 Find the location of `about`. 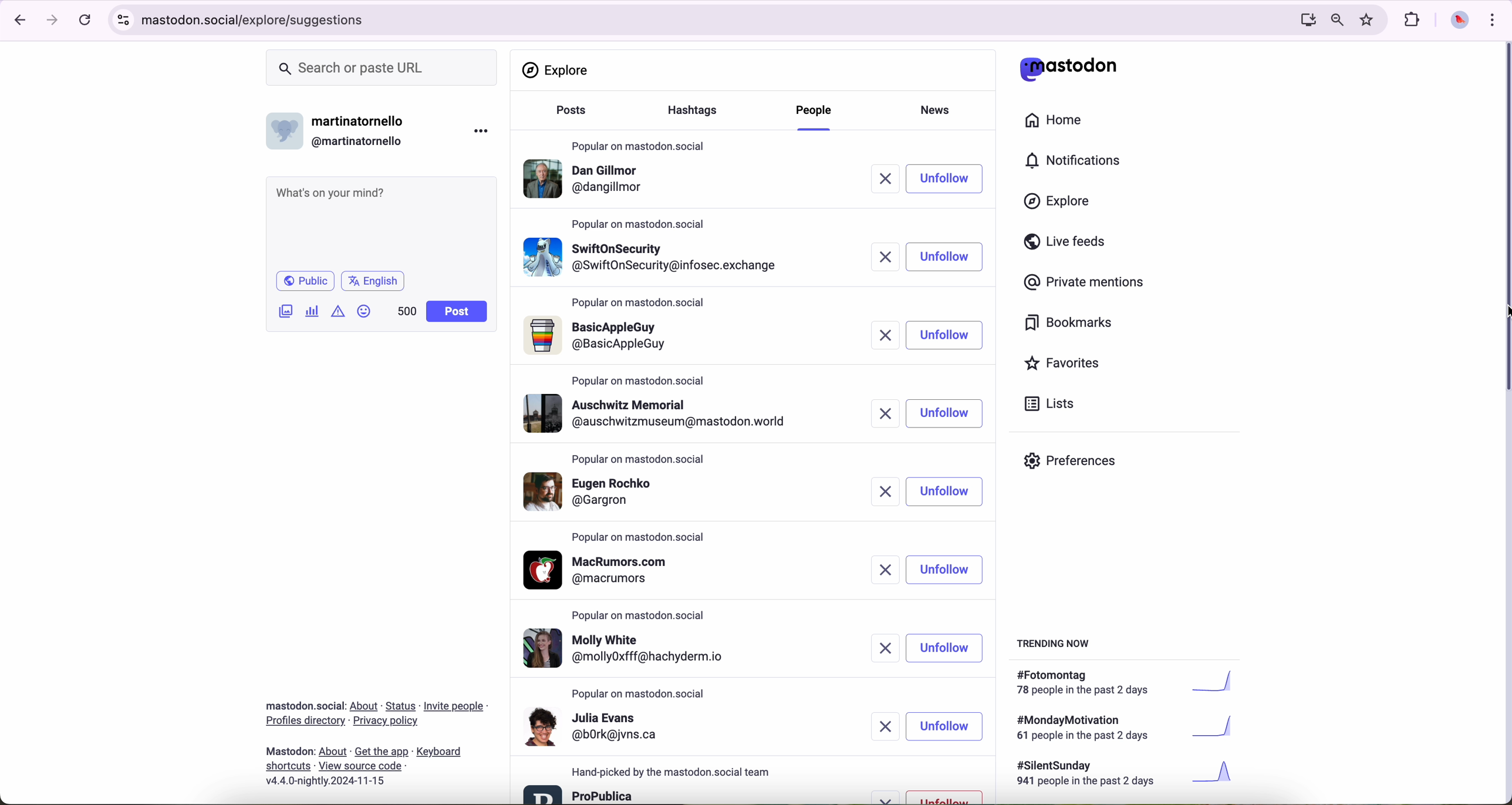

about is located at coordinates (376, 739).